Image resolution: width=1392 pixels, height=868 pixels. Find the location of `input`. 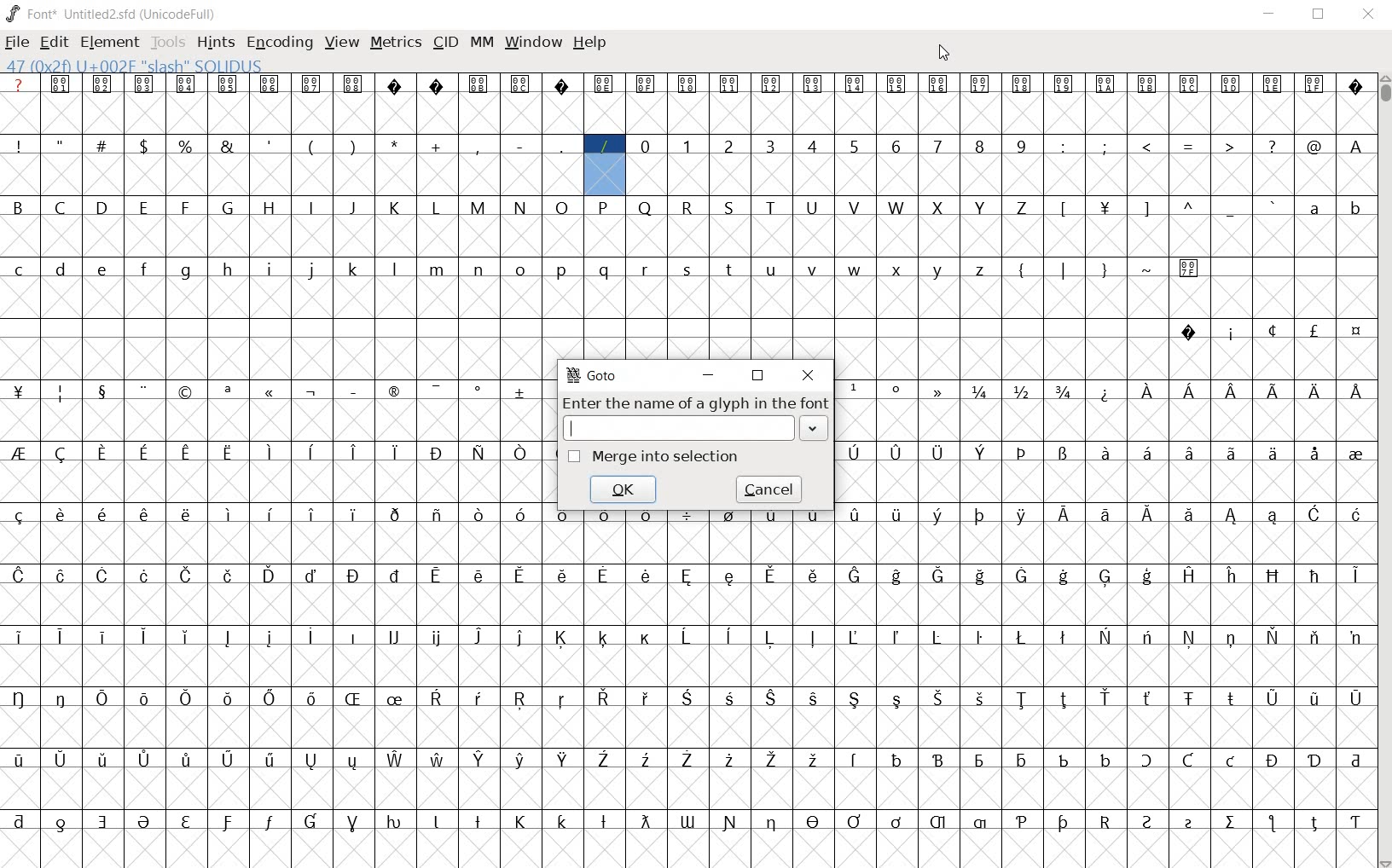

input is located at coordinates (679, 427).